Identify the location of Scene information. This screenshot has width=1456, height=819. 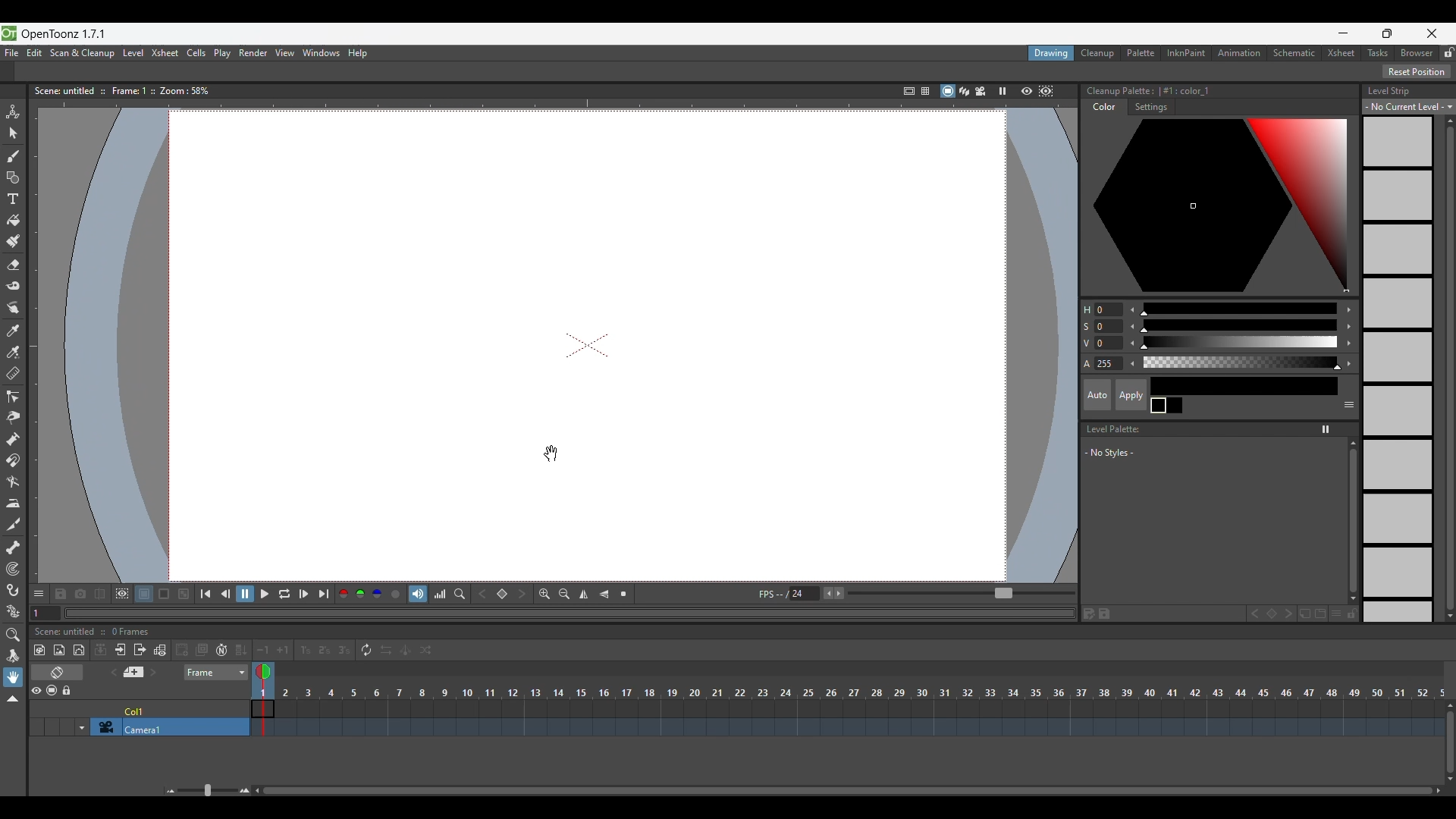
(123, 91).